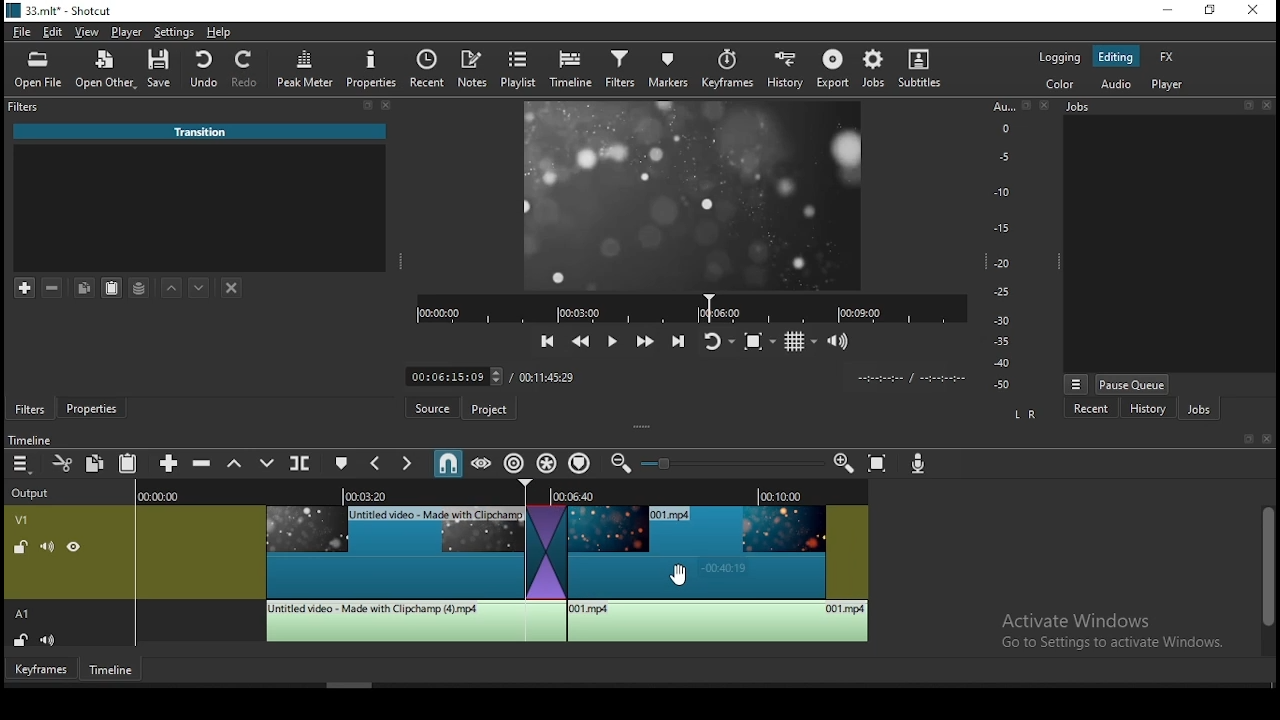 The width and height of the screenshot is (1280, 720). What do you see at coordinates (27, 288) in the screenshot?
I see `add a filter` at bounding box center [27, 288].